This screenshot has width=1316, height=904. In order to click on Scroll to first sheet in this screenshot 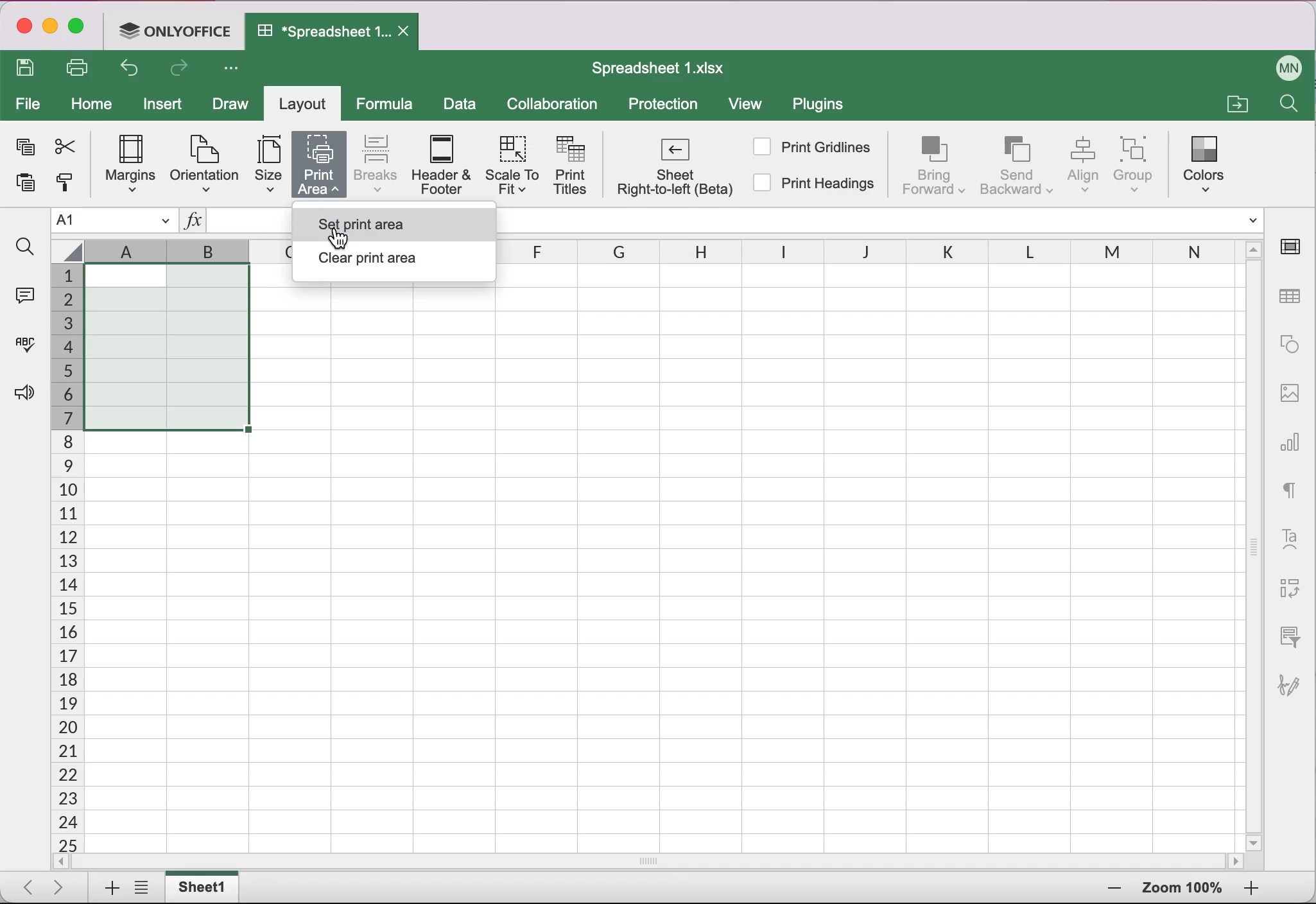, I will do `click(24, 883)`.